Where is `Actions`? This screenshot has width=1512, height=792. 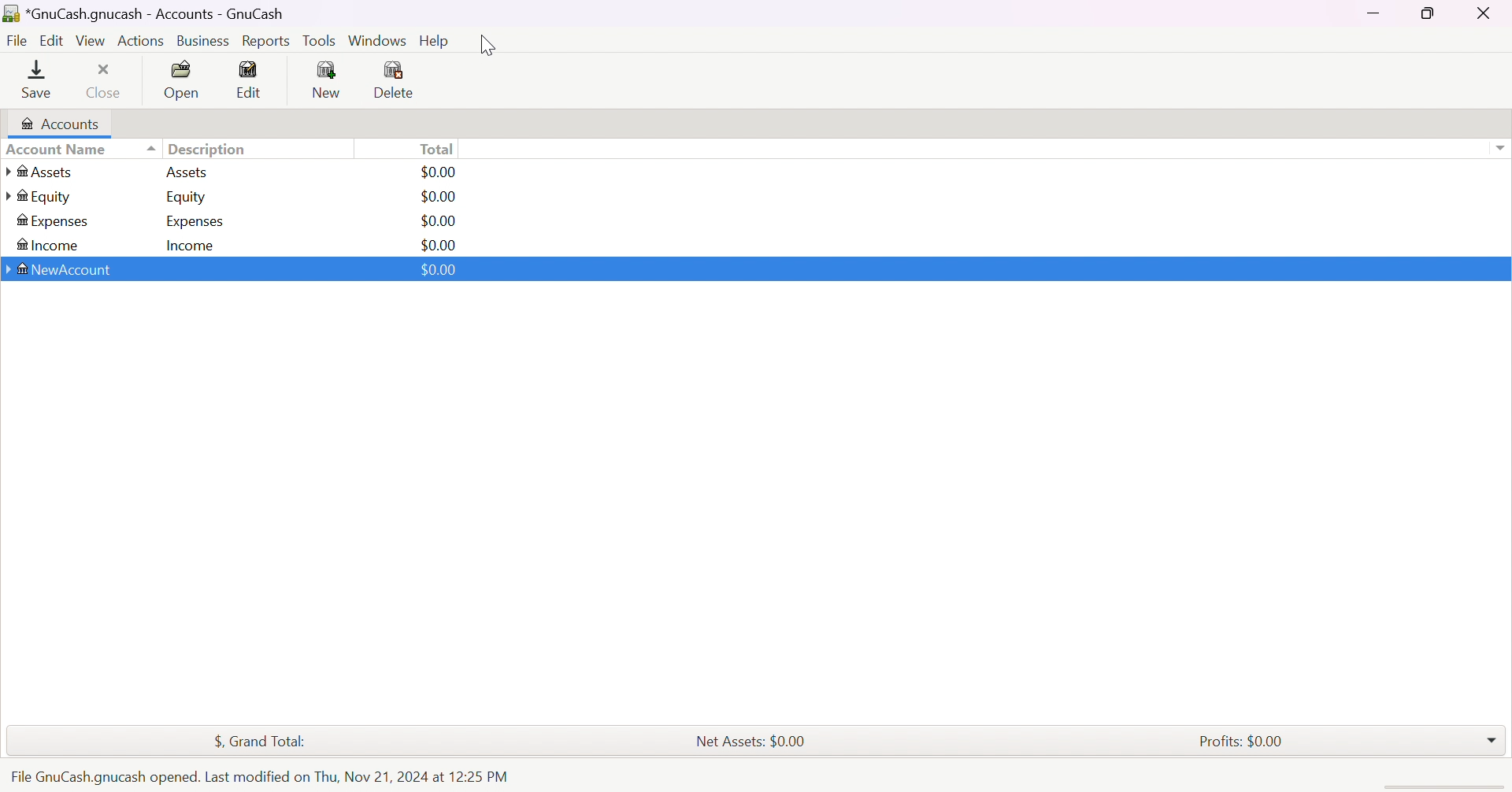
Actions is located at coordinates (140, 41).